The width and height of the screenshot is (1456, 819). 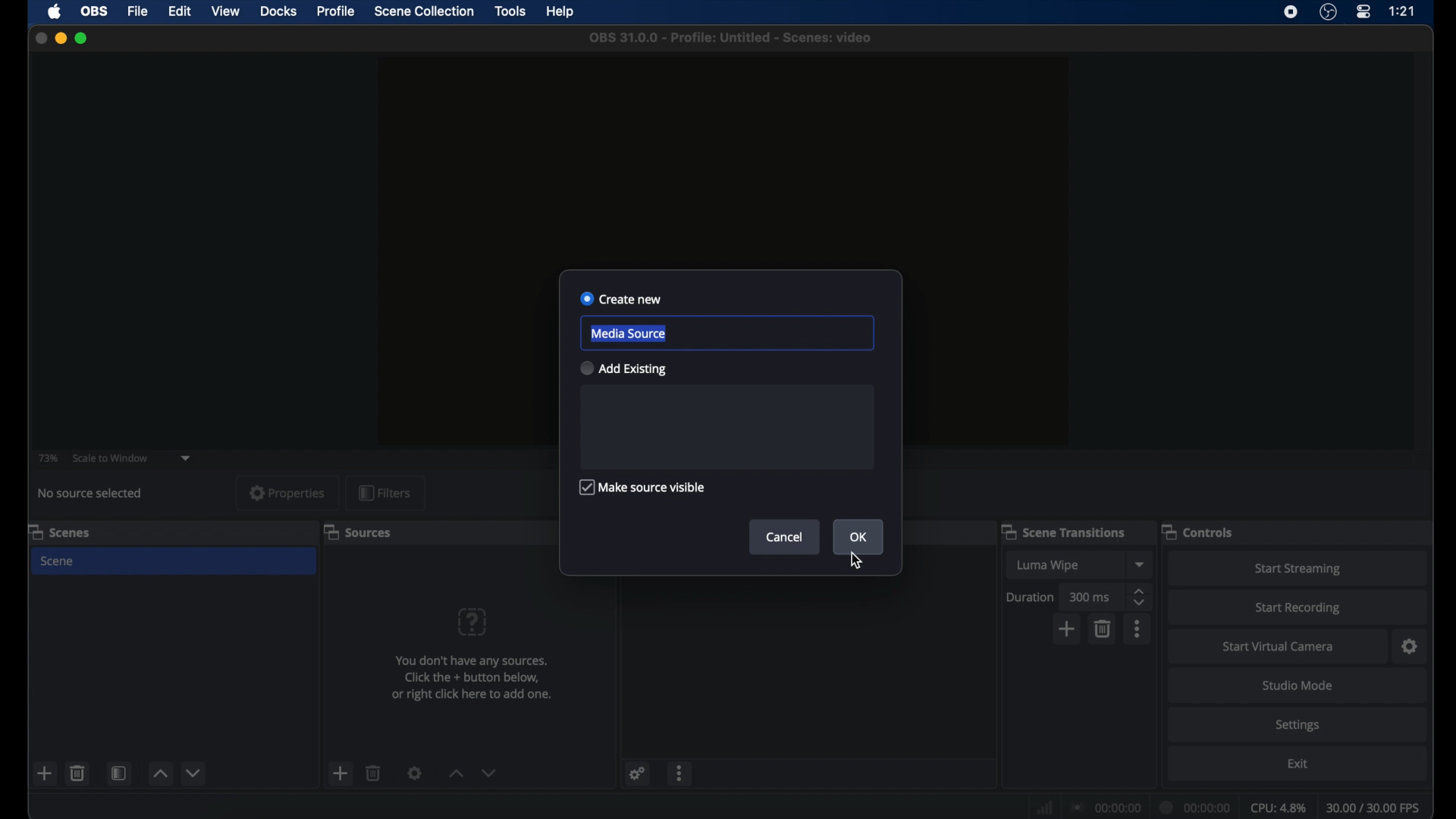 I want to click on ok, so click(x=858, y=537).